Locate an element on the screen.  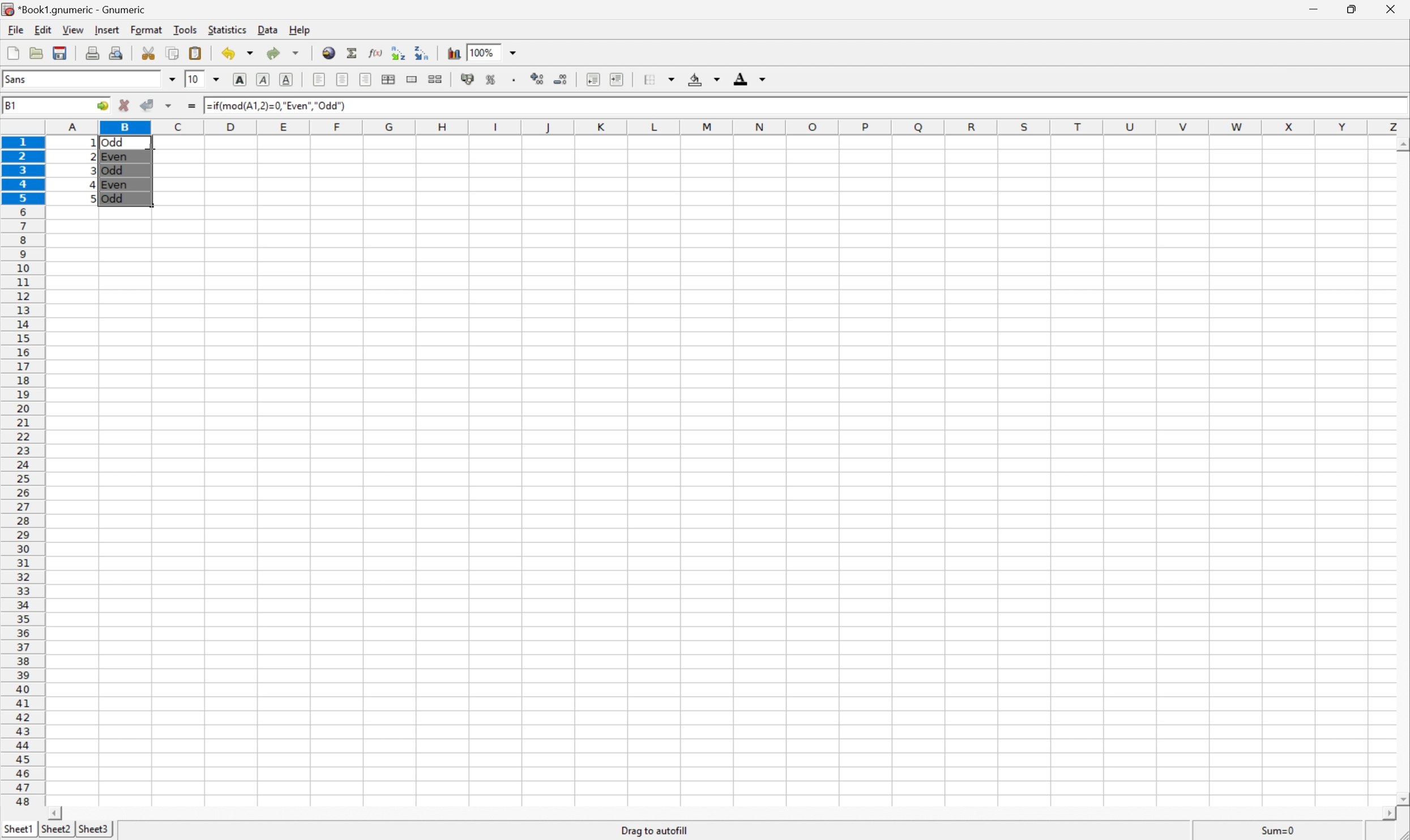
Foreground is located at coordinates (751, 79).